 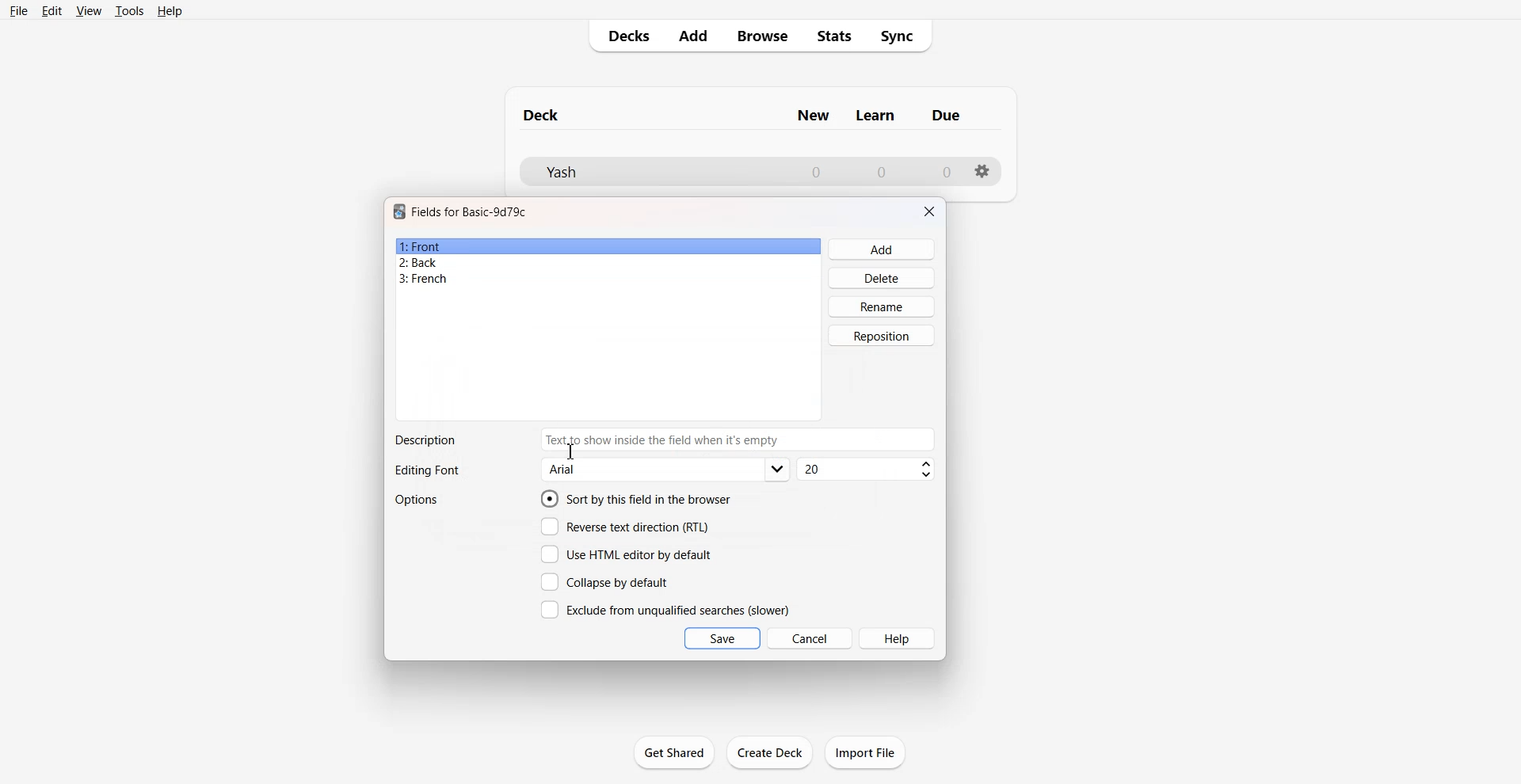 What do you see at coordinates (816, 172) in the screenshot?
I see `Number of New cards` at bounding box center [816, 172].